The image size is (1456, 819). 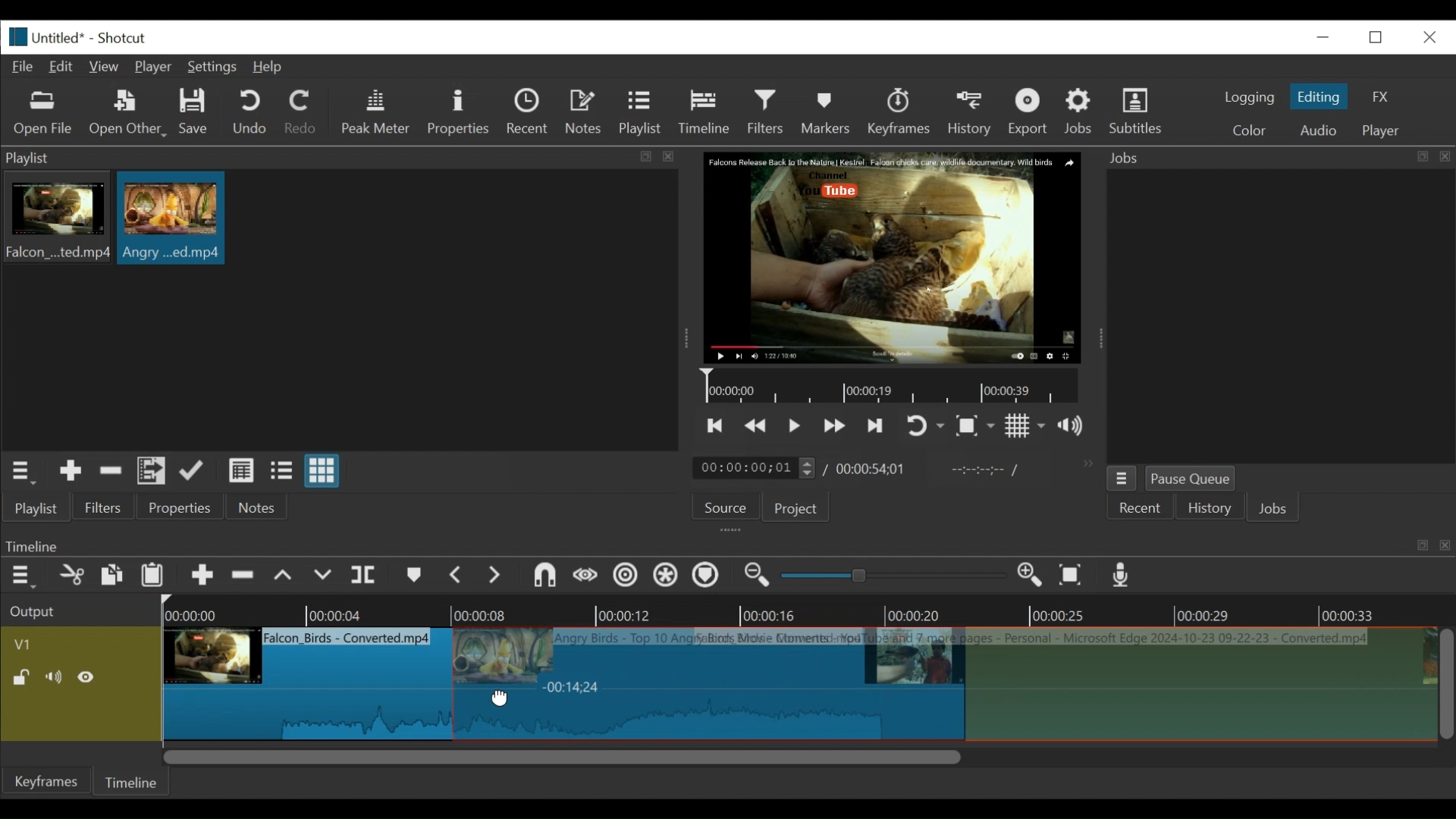 I want to click on Toggle play or pause, so click(x=795, y=425).